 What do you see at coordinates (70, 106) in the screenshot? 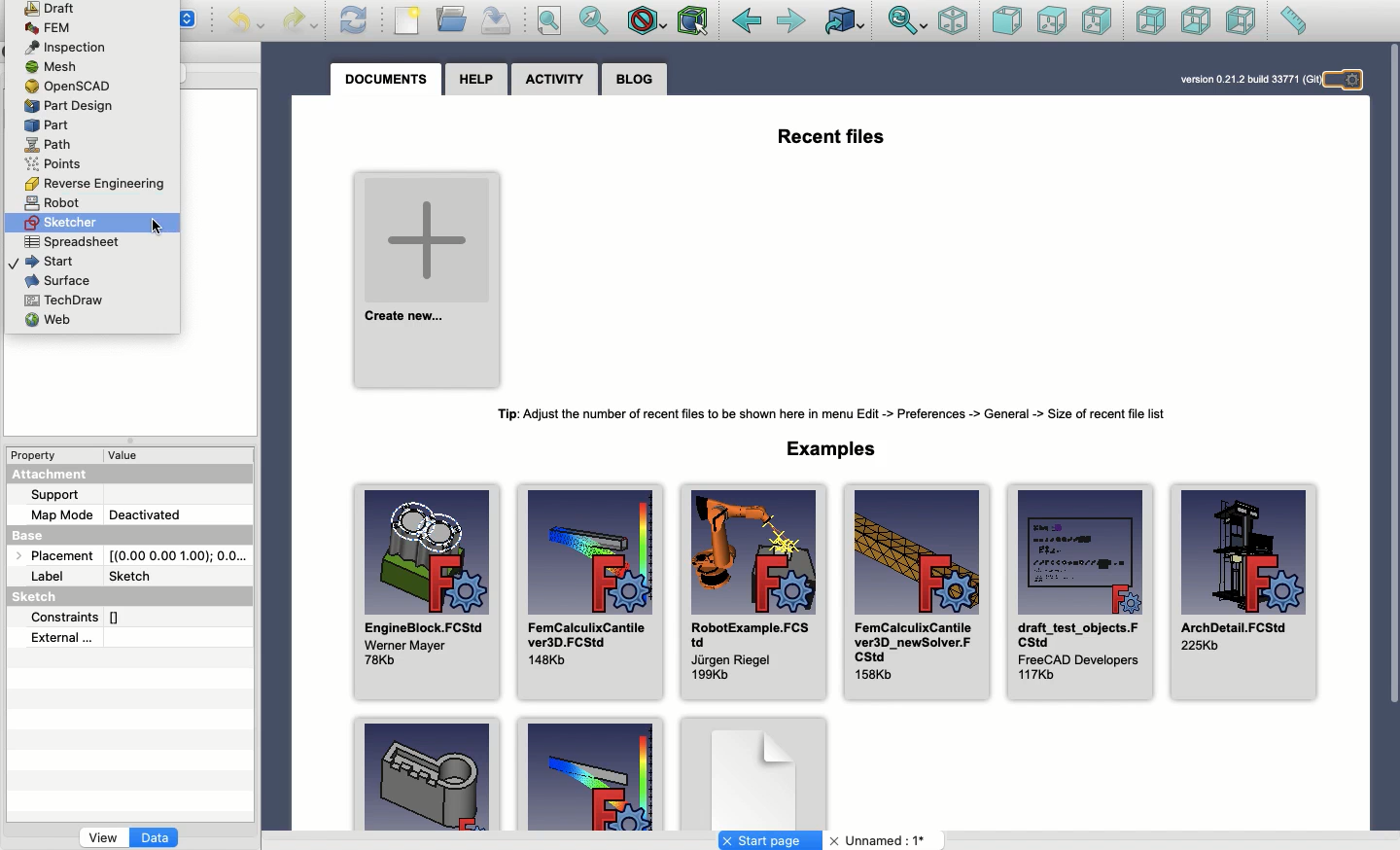
I see `Part design` at bounding box center [70, 106].